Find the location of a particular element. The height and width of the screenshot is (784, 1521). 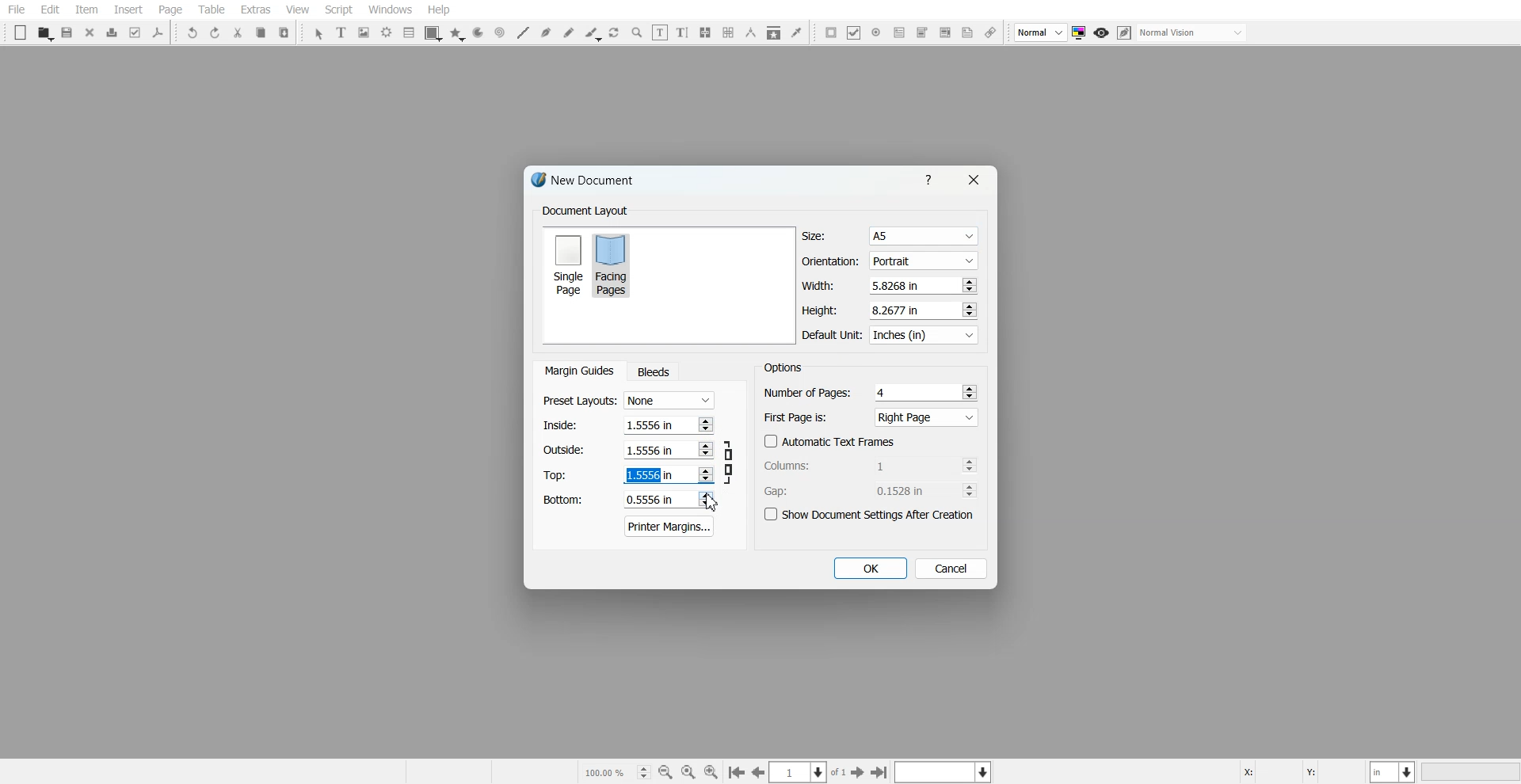

Increase and decrease No.  is located at coordinates (969, 465).